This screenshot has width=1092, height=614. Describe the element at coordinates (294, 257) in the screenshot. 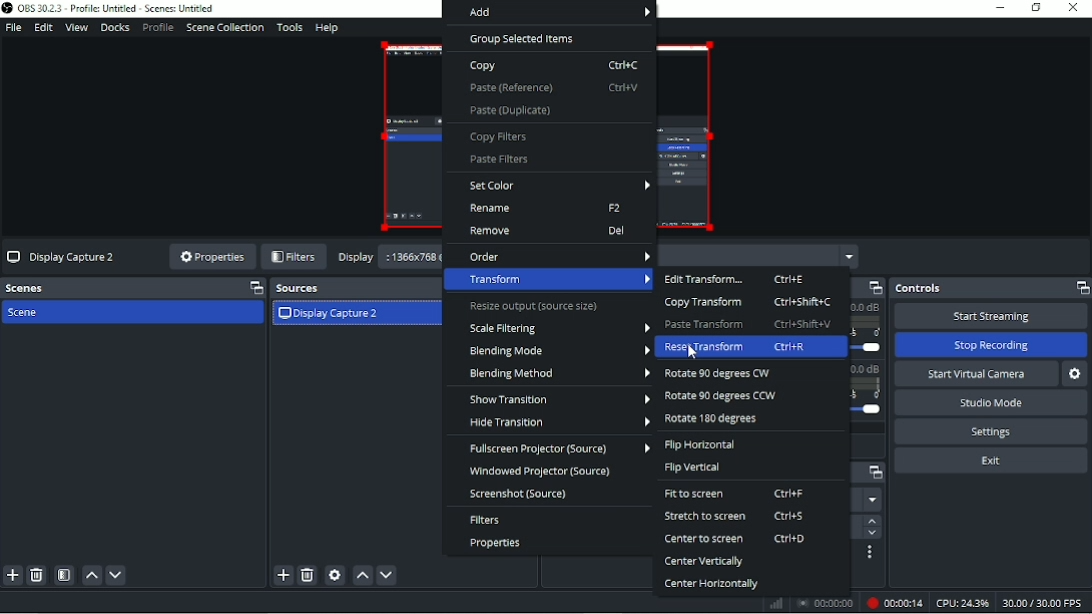

I see `Filters` at that location.